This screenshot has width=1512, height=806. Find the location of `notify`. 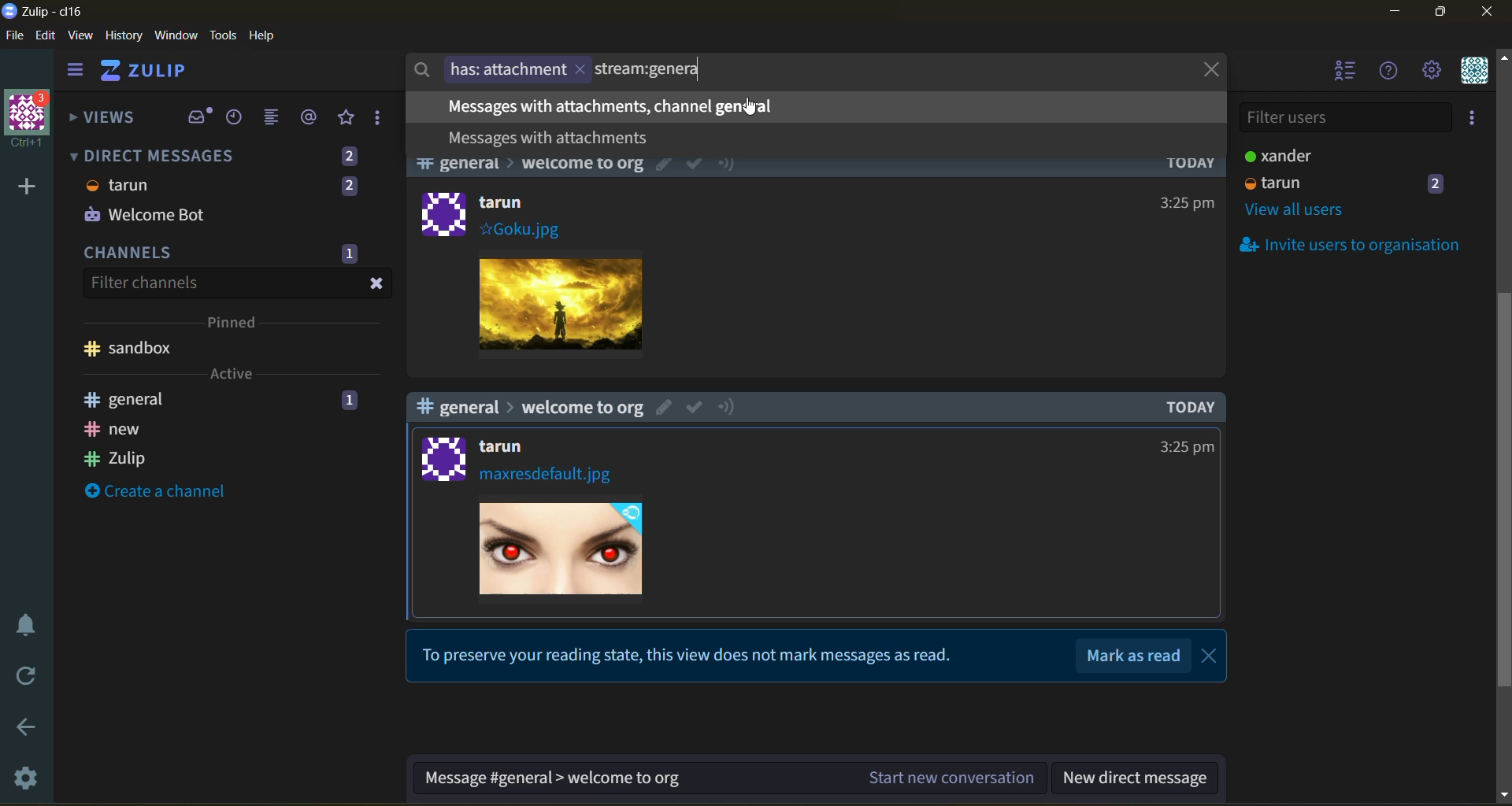

notify is located at coordinates (728, 161).